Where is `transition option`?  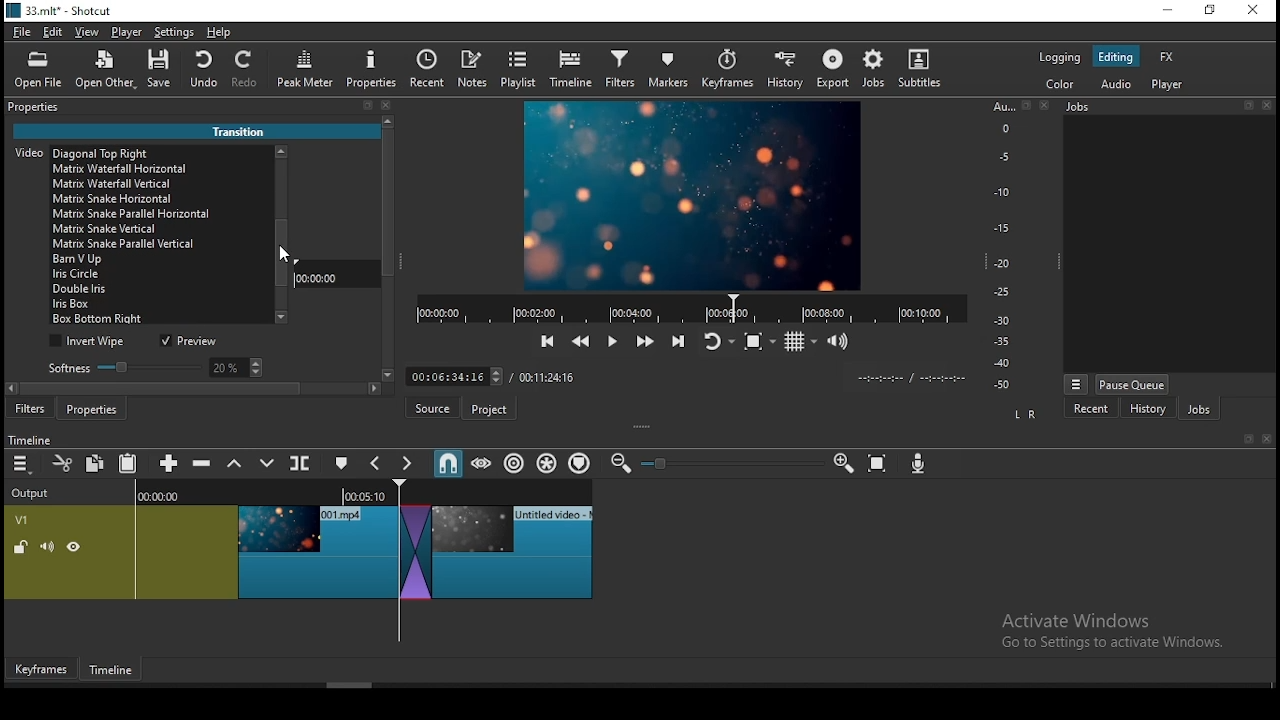 transition option is located at coordinates (159, 185).